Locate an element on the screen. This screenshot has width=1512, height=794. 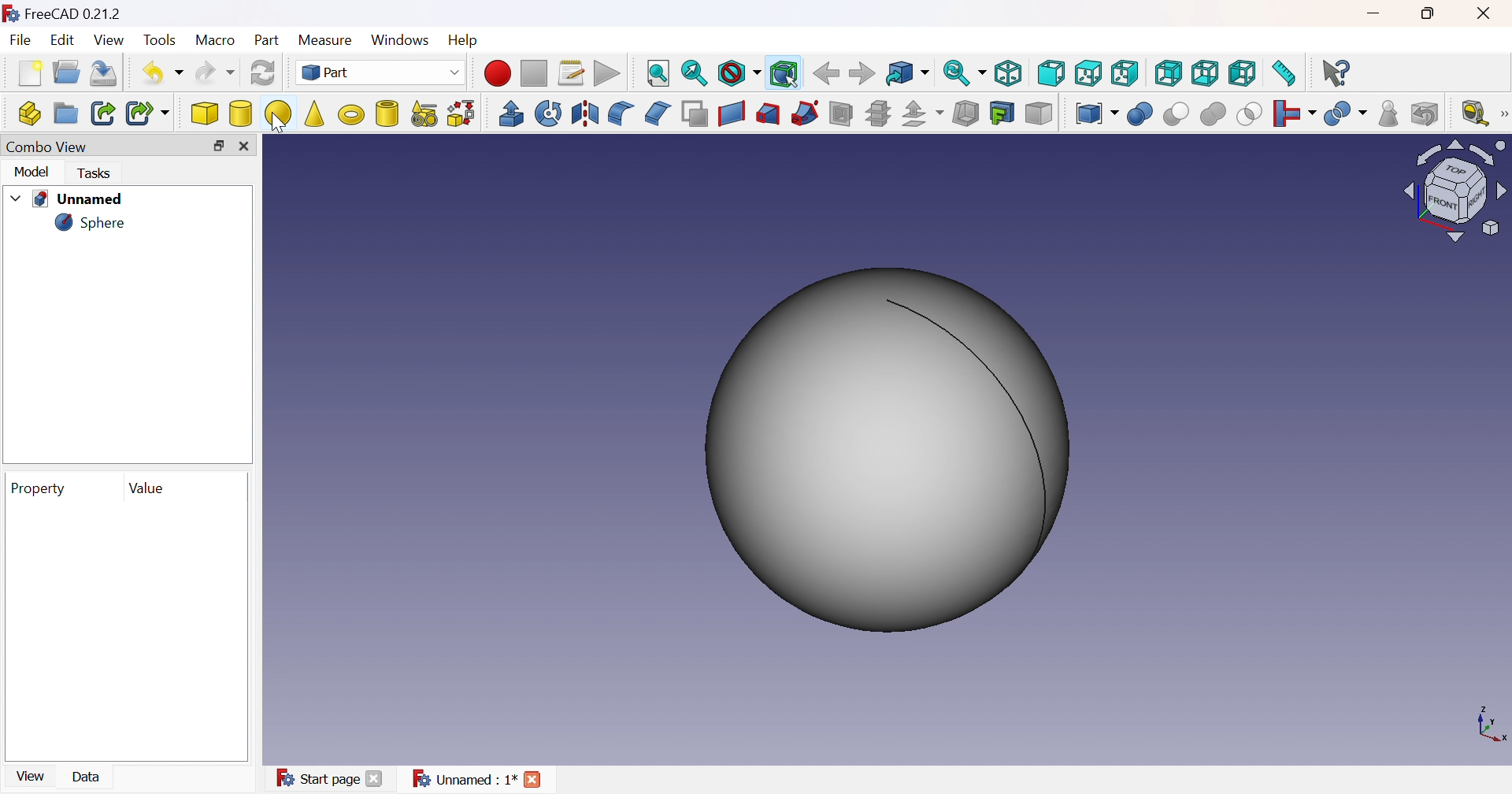
Mirroring is located at coordinates (588, 115).